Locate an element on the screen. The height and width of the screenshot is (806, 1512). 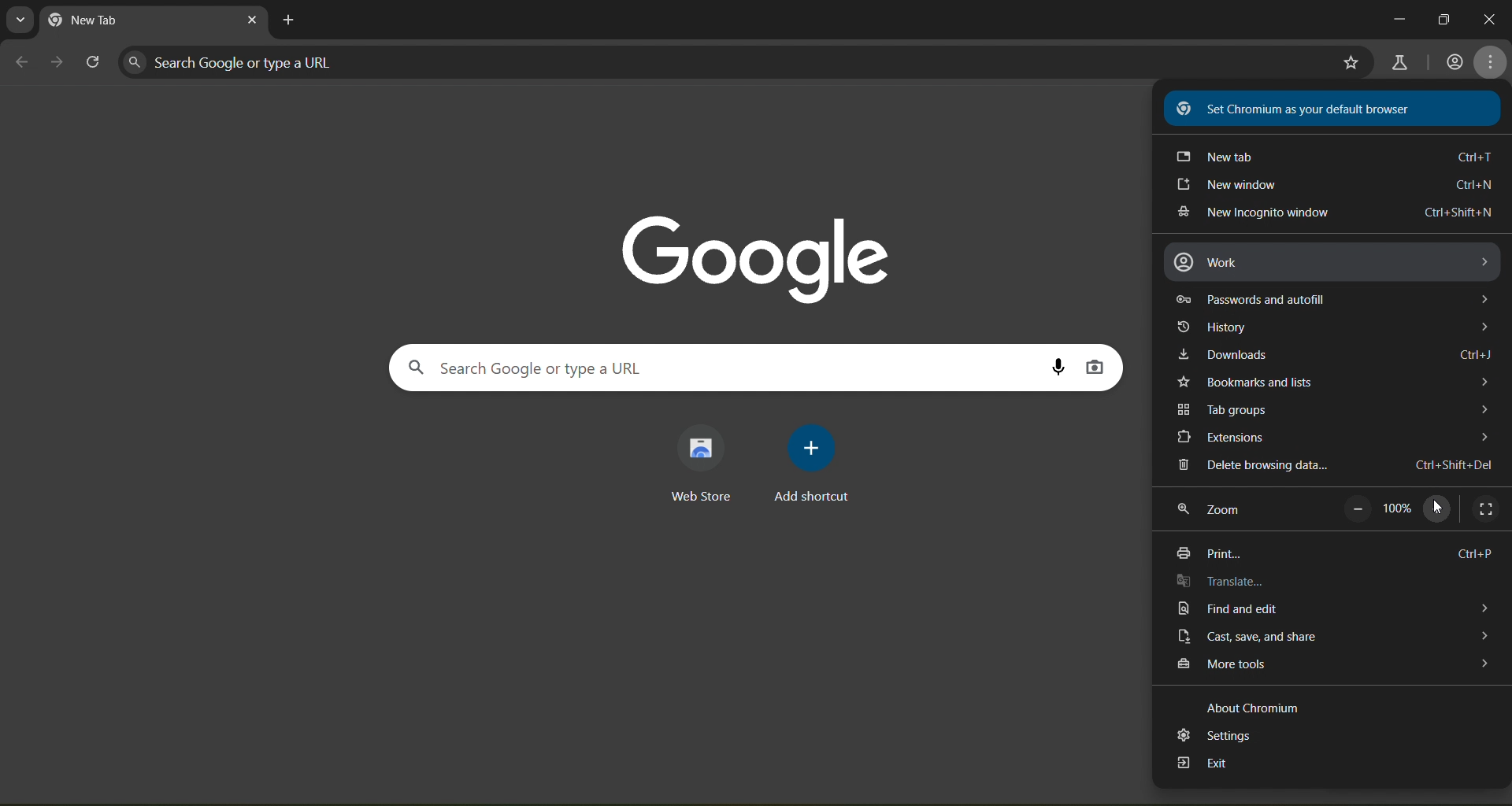
history is located at coordinates (1336, 327).